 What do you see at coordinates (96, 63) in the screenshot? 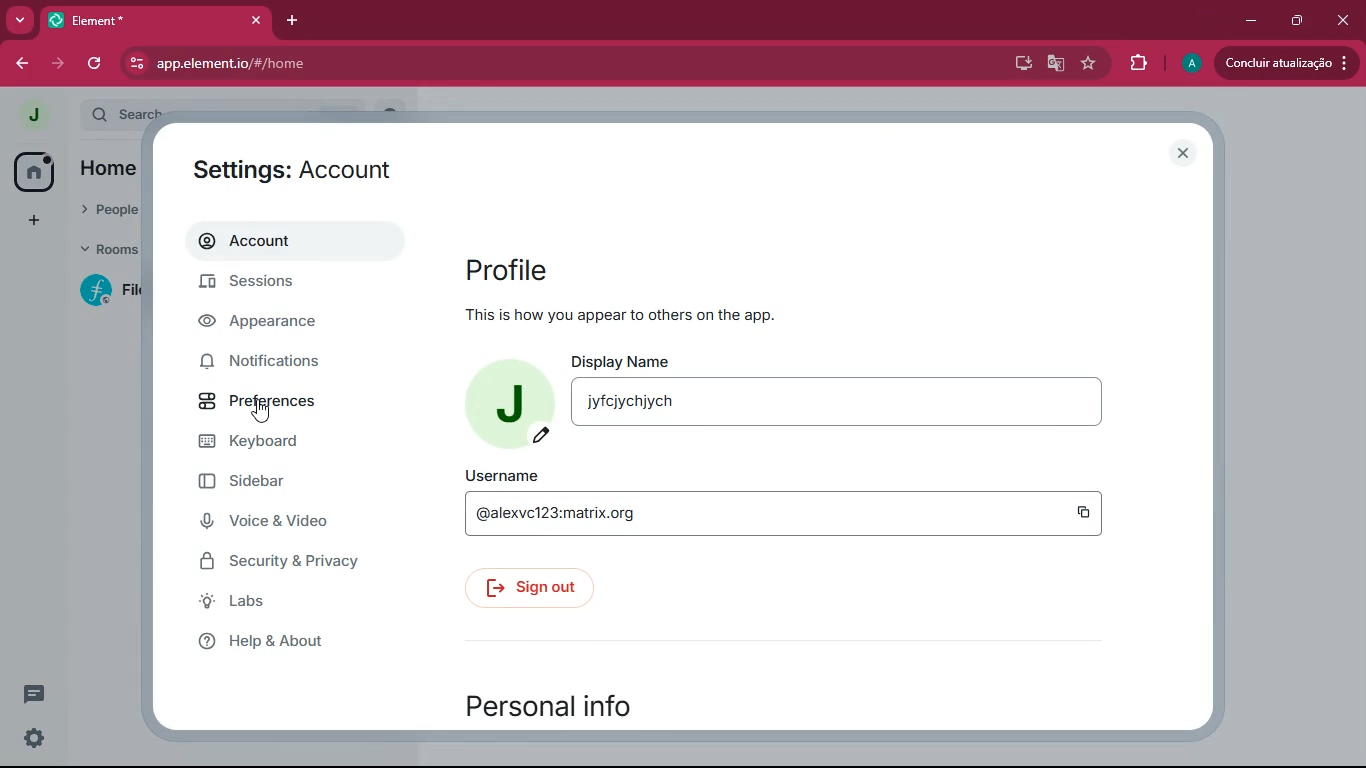
I see `refersh` at bounding box center [96, 63].